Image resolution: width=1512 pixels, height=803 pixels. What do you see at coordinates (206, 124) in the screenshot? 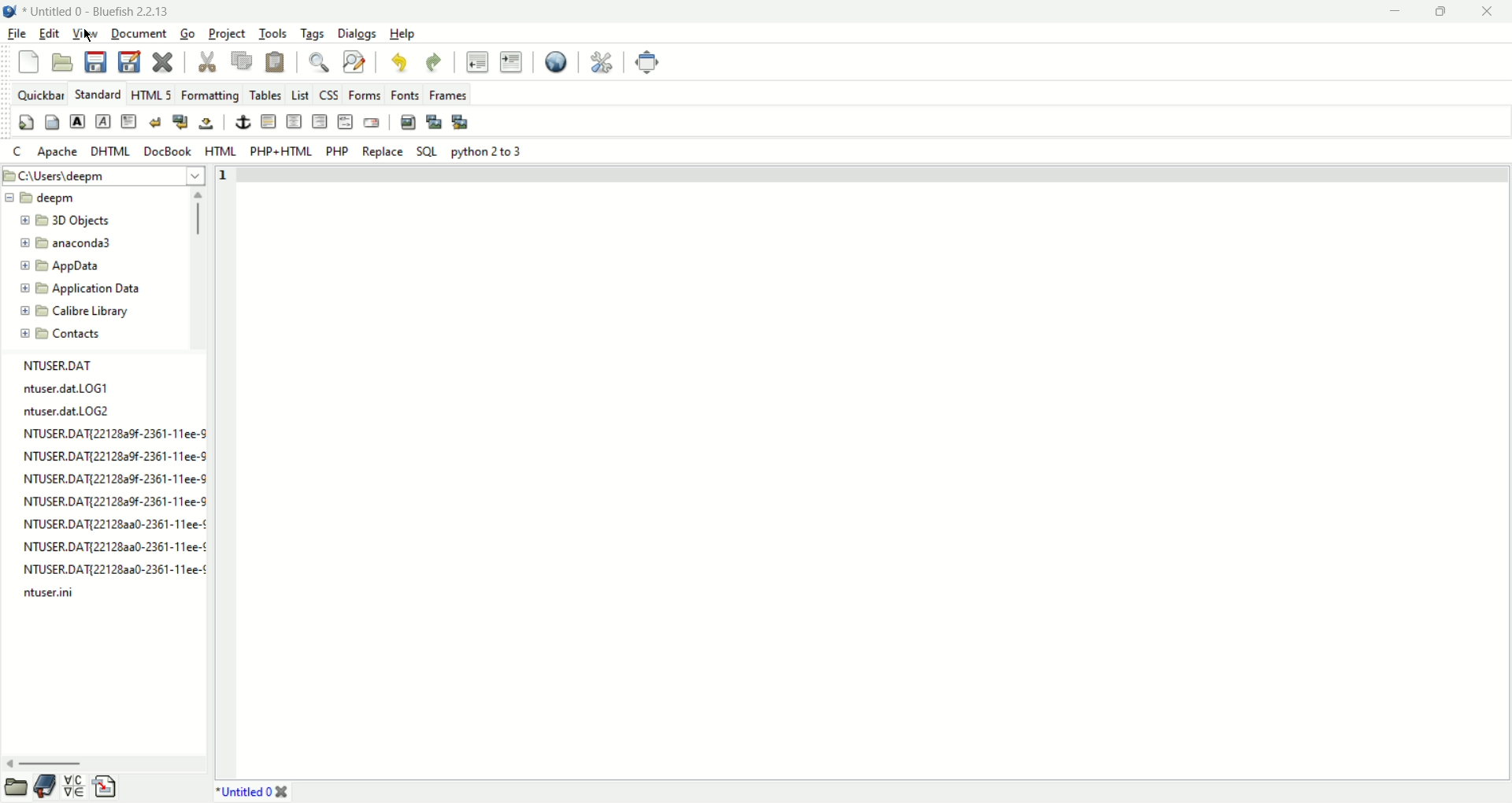
I see `non breaking space` at bounding box center [206, 124].